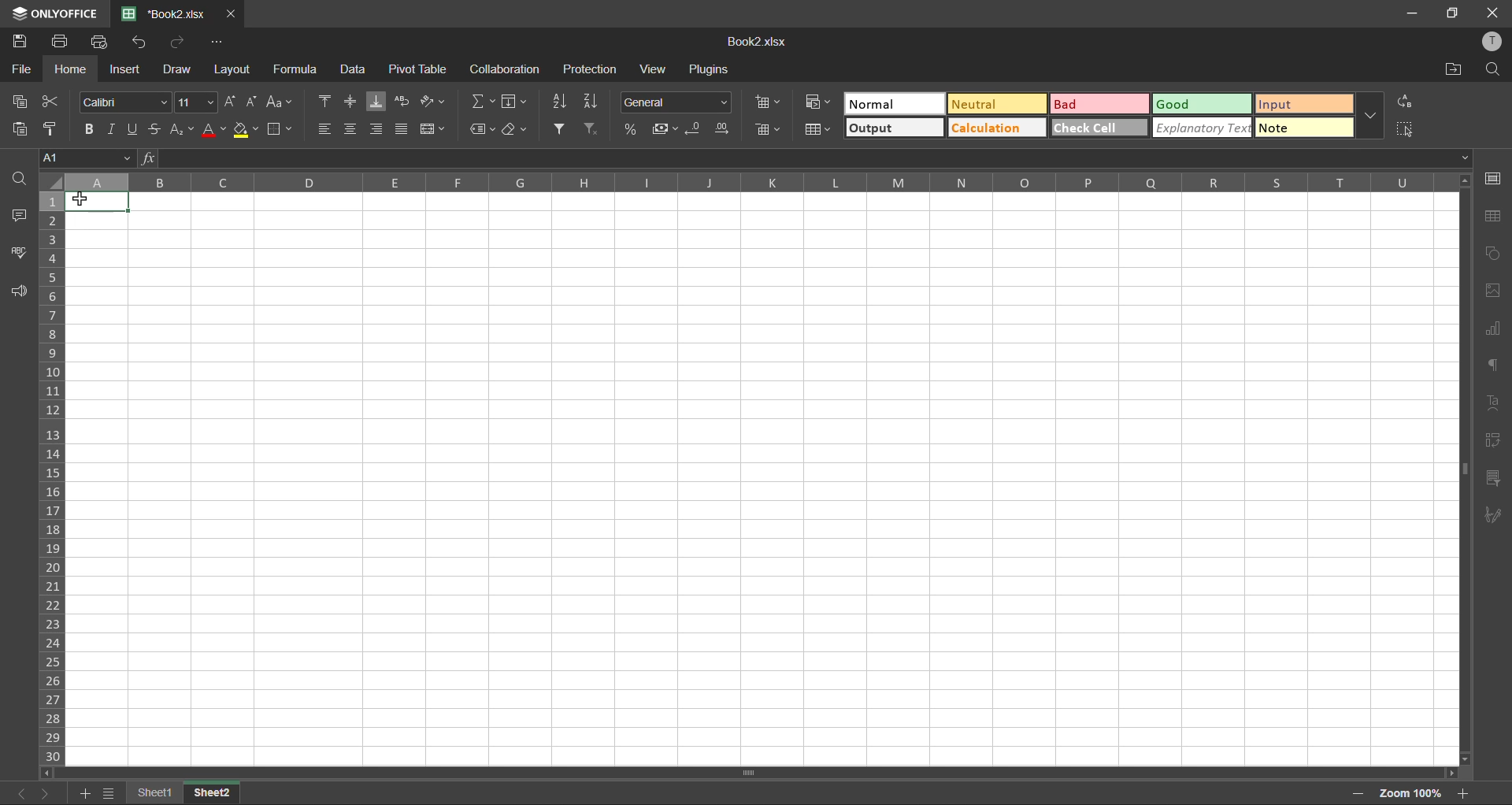 The image size is (1512, 805). What do you see at coordinates (773, 131) in the screenshot?
I see `remove cells` at bounding box center [773, 131].